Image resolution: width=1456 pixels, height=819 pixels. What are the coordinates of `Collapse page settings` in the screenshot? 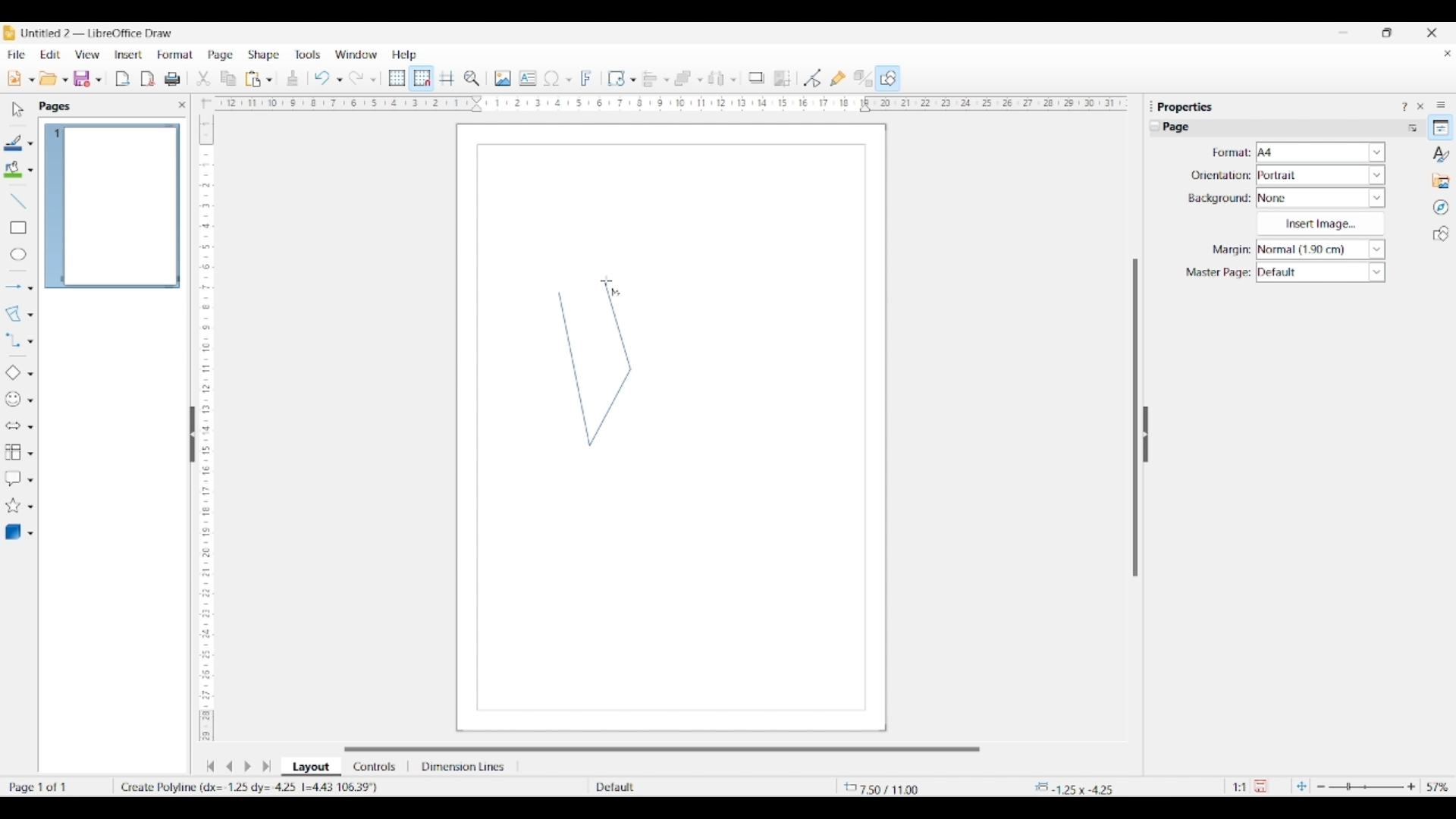 It's located at (1155, 126).